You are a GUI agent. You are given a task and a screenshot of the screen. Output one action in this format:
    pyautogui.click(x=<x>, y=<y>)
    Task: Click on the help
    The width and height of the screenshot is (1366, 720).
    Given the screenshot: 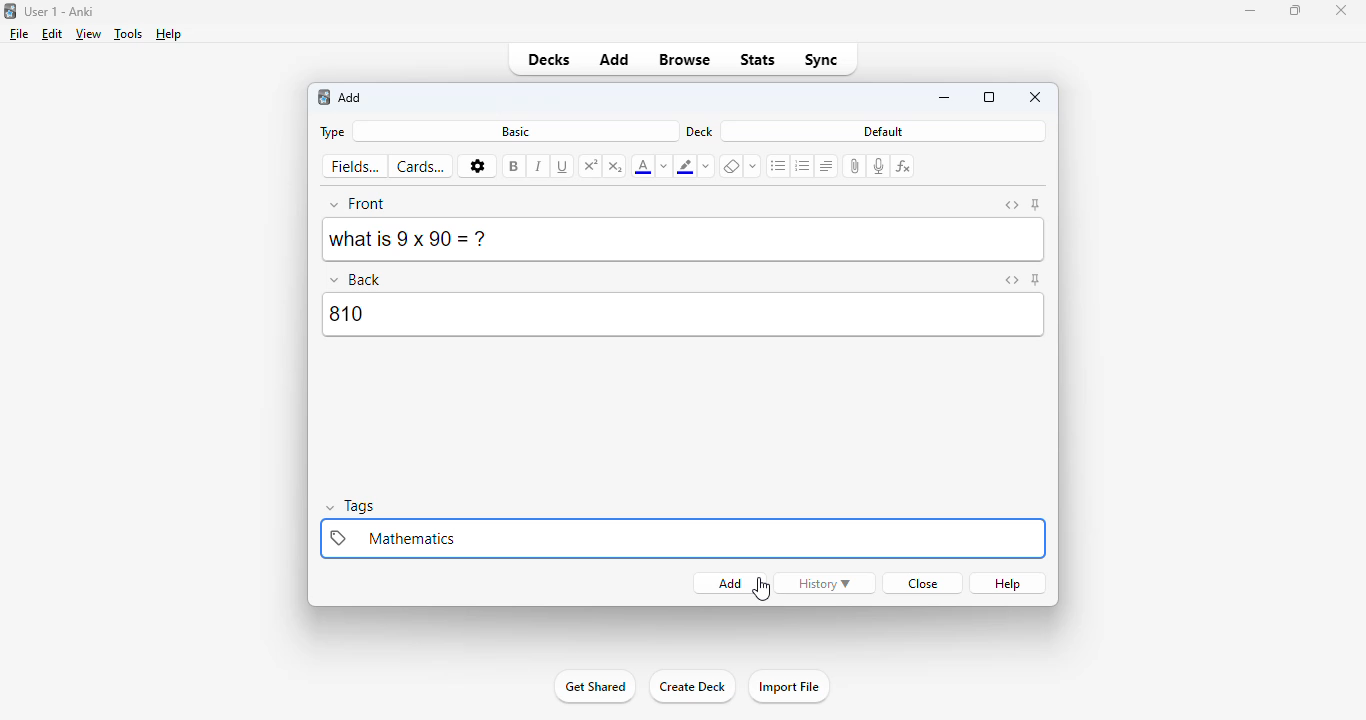 What is the action you would take?
    pyautogui.click(x=169, y=34)
    